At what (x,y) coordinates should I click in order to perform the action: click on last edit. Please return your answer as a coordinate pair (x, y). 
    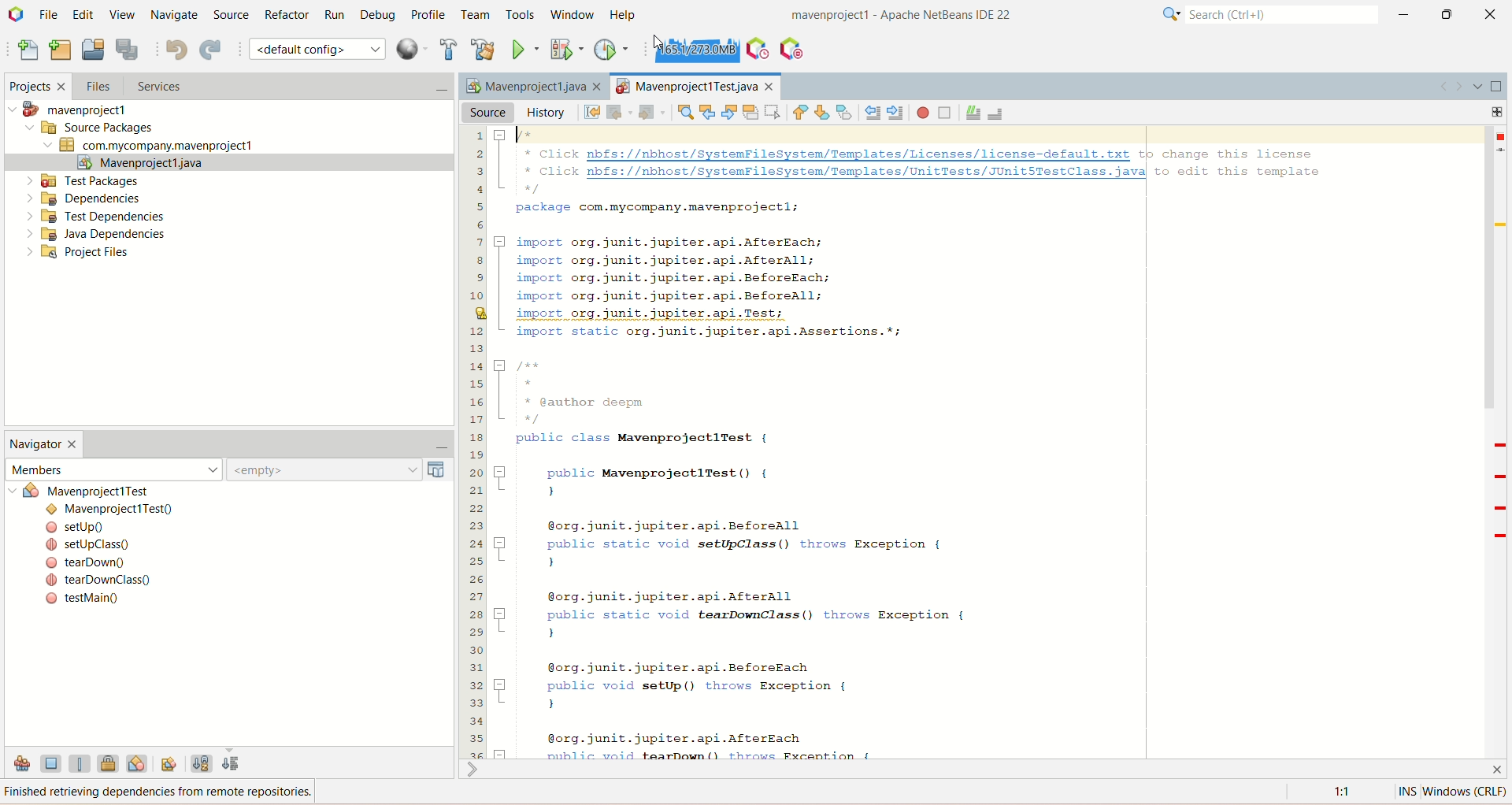
    Looking at the image, I should click on (593, 113).